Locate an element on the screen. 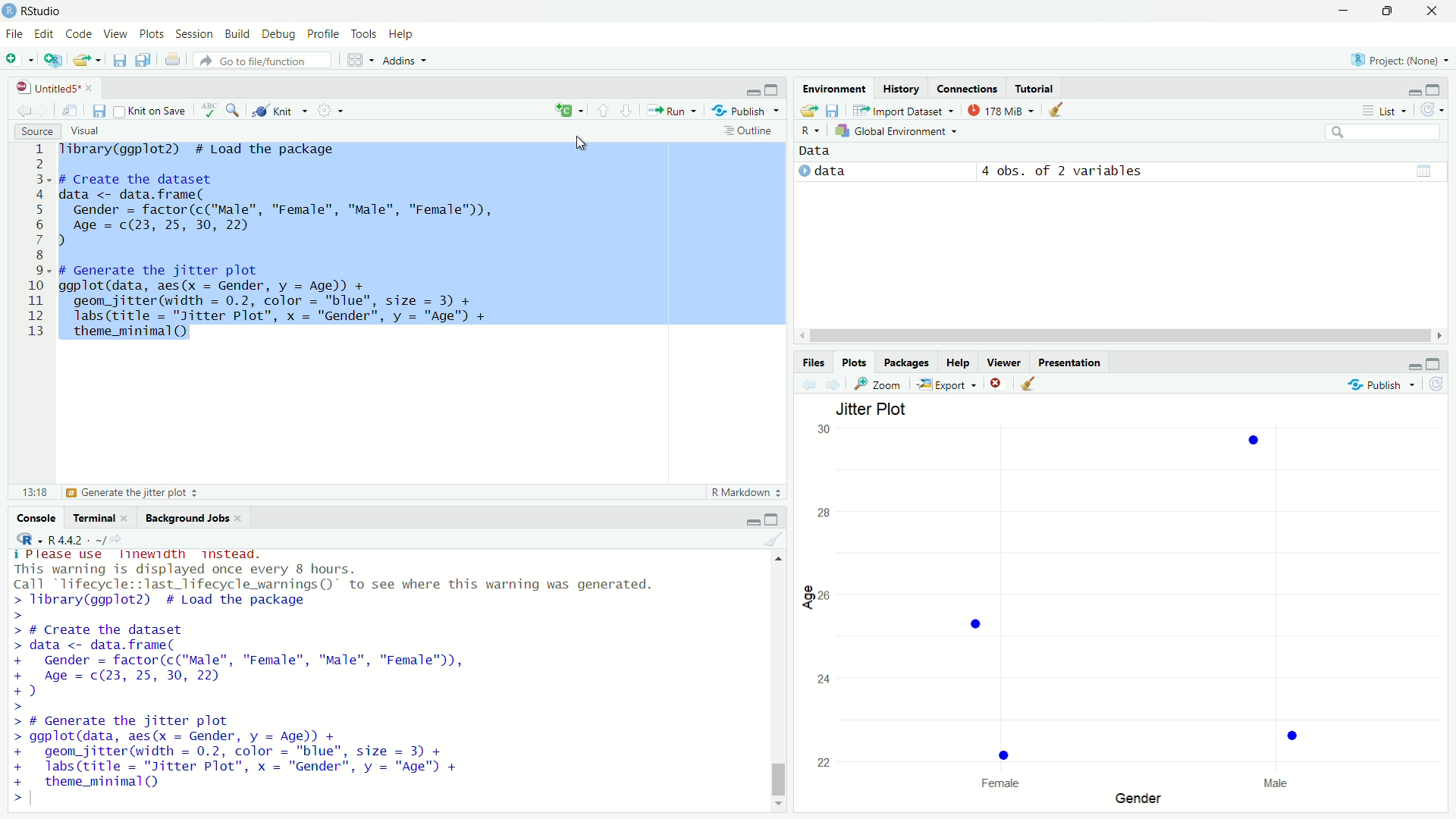 The height and width of the screenshot is (819, 1456). library to load the package is located at coordinates (174, 601).